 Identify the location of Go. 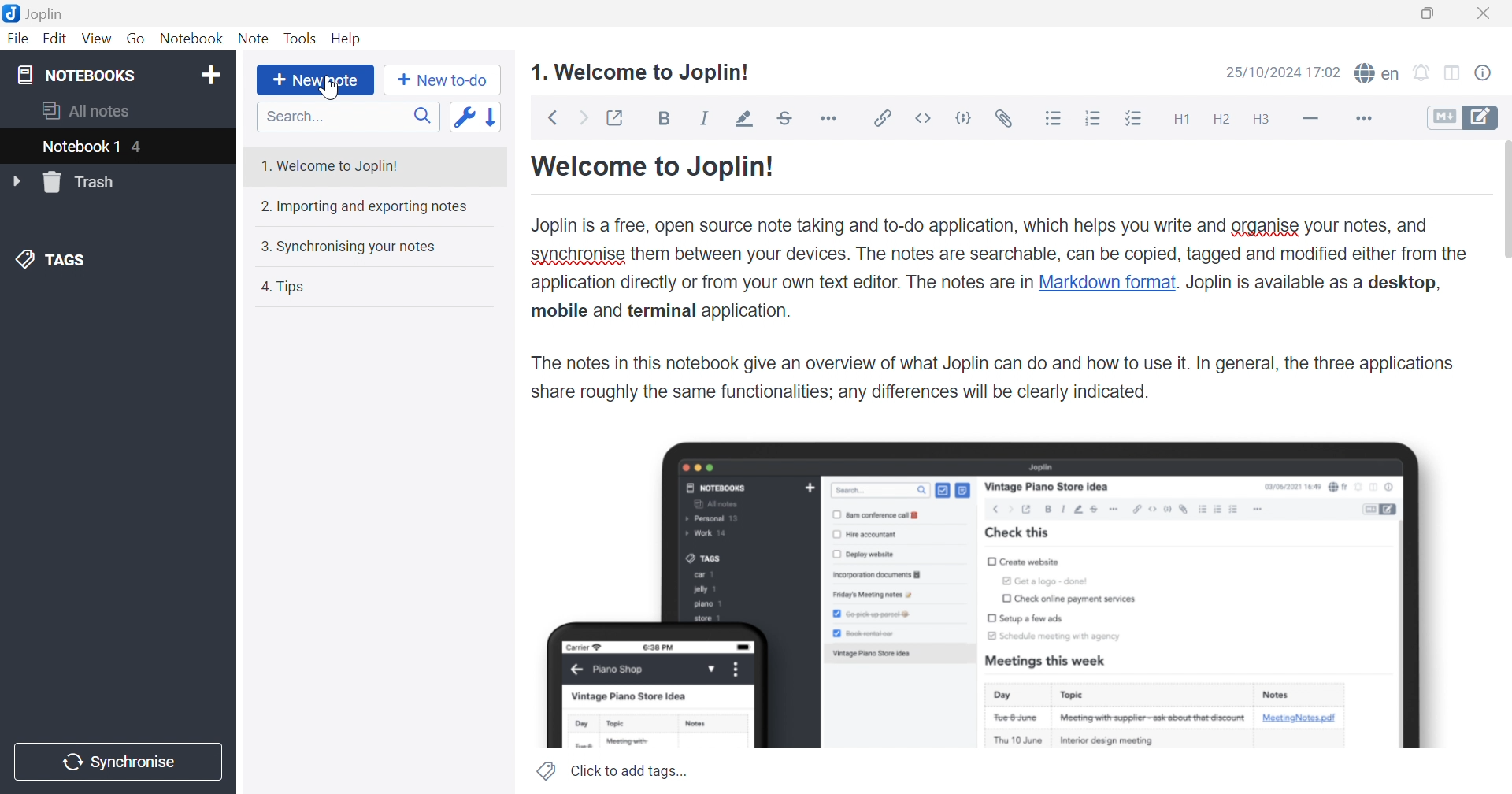
(138, 39).